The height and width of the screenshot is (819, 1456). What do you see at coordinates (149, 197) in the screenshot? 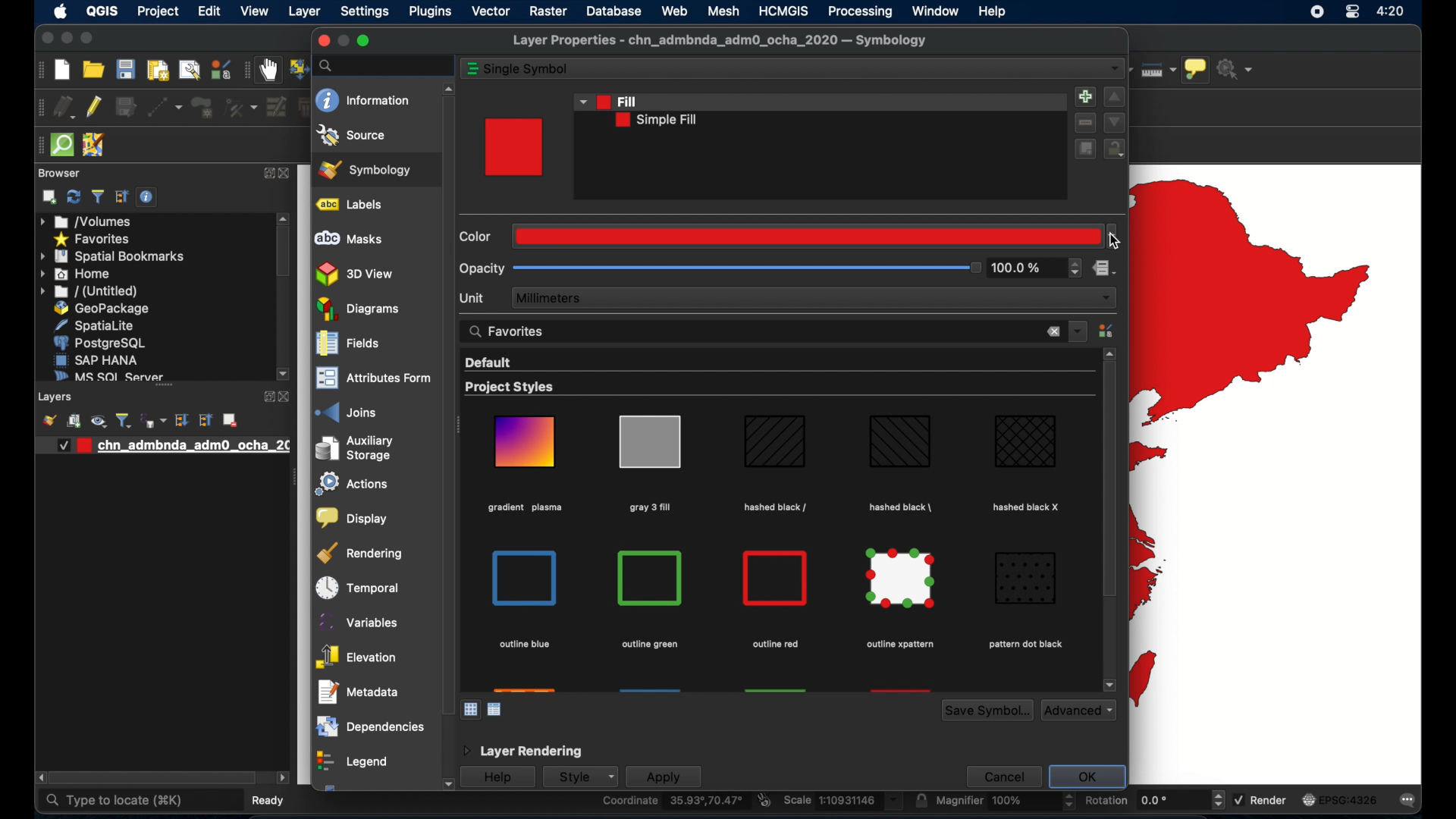
I see `enable/disbale properties widget` at bounding box center [149, 197].